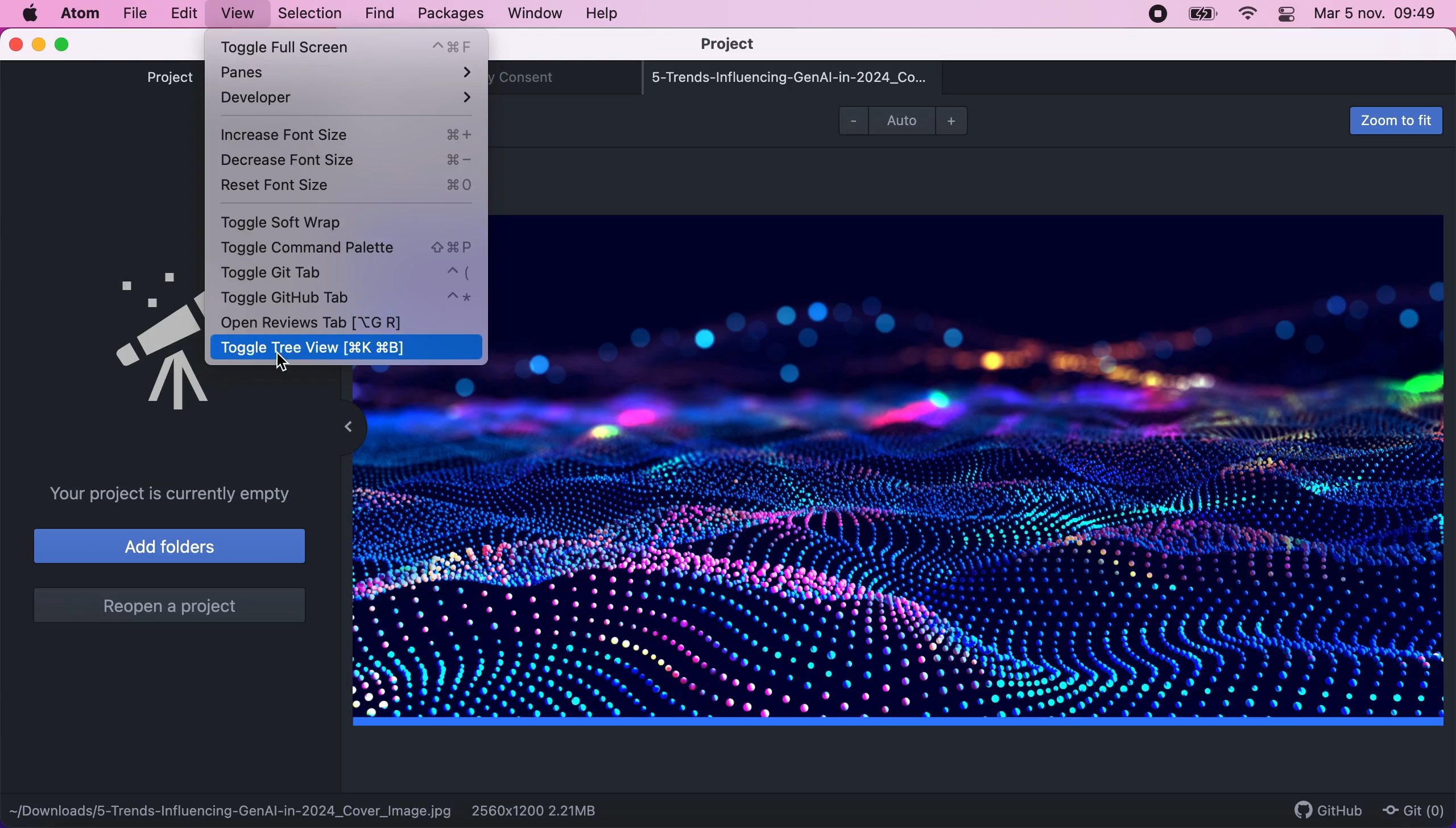 The height and width of the screenshot is (828, 1456). Describe the element at coordinates (282, 362) in the screenshot. I see `cursor` at that location.